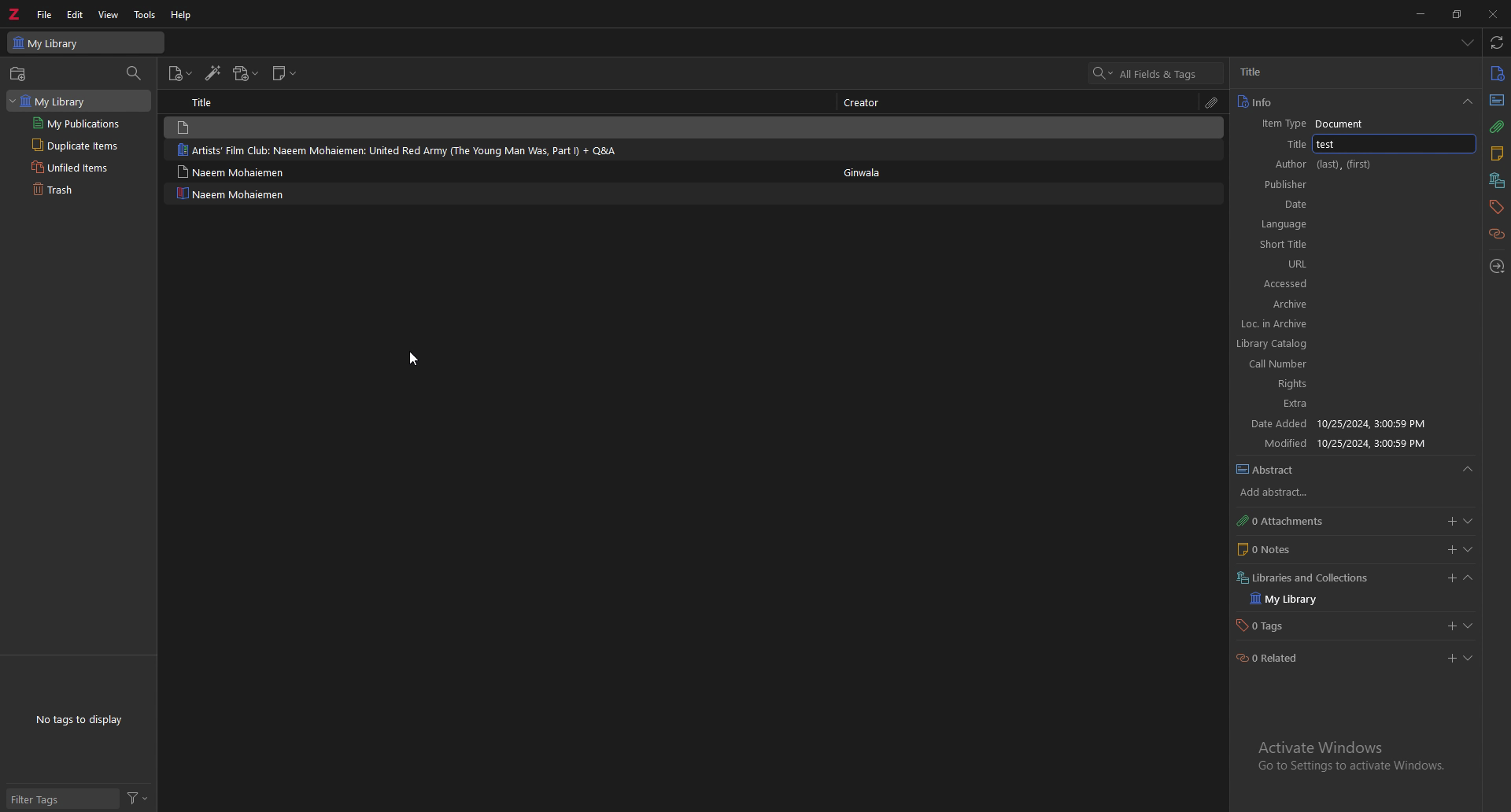 This screenshot has height=812, width=1511. Describe the element at coordinates (1279, 185) in the screenshot. I see `encyclopedia title` at that location.